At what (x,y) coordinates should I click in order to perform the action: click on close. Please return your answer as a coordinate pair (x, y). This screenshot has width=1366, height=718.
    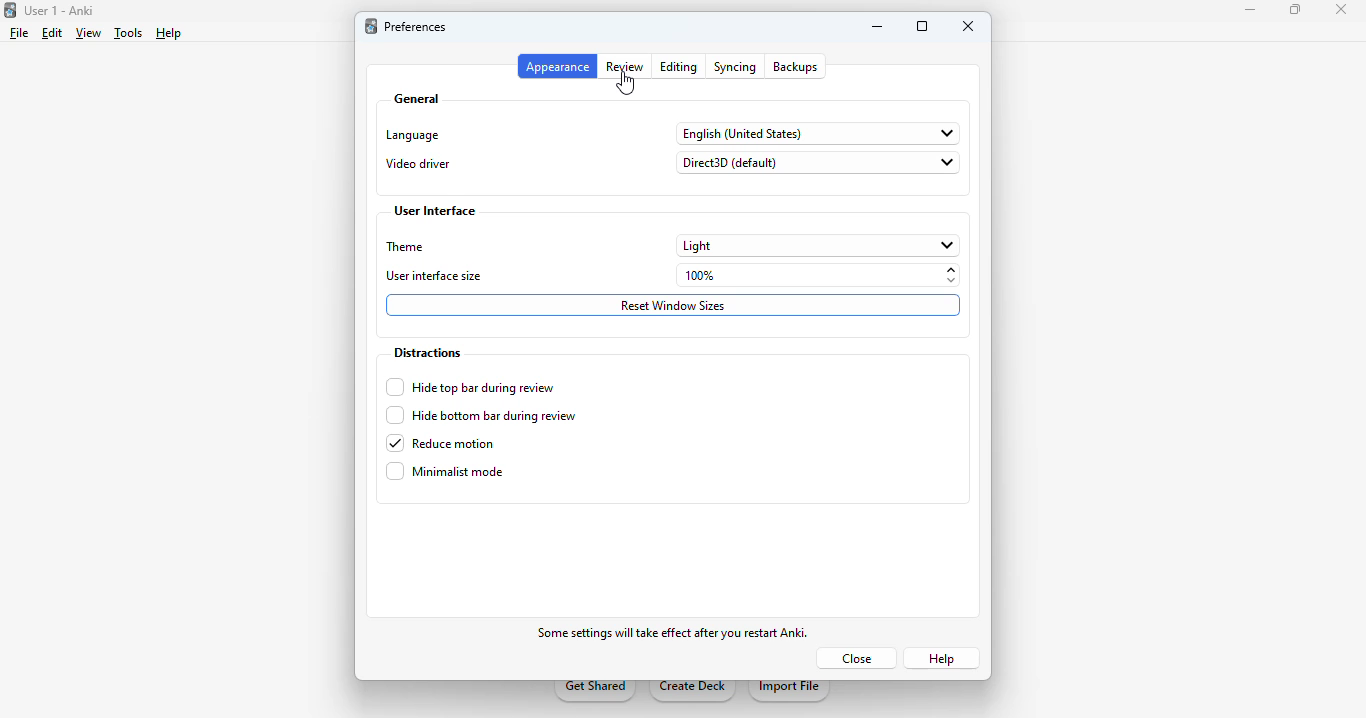
    Looking at the image, I should click on (968, 26).